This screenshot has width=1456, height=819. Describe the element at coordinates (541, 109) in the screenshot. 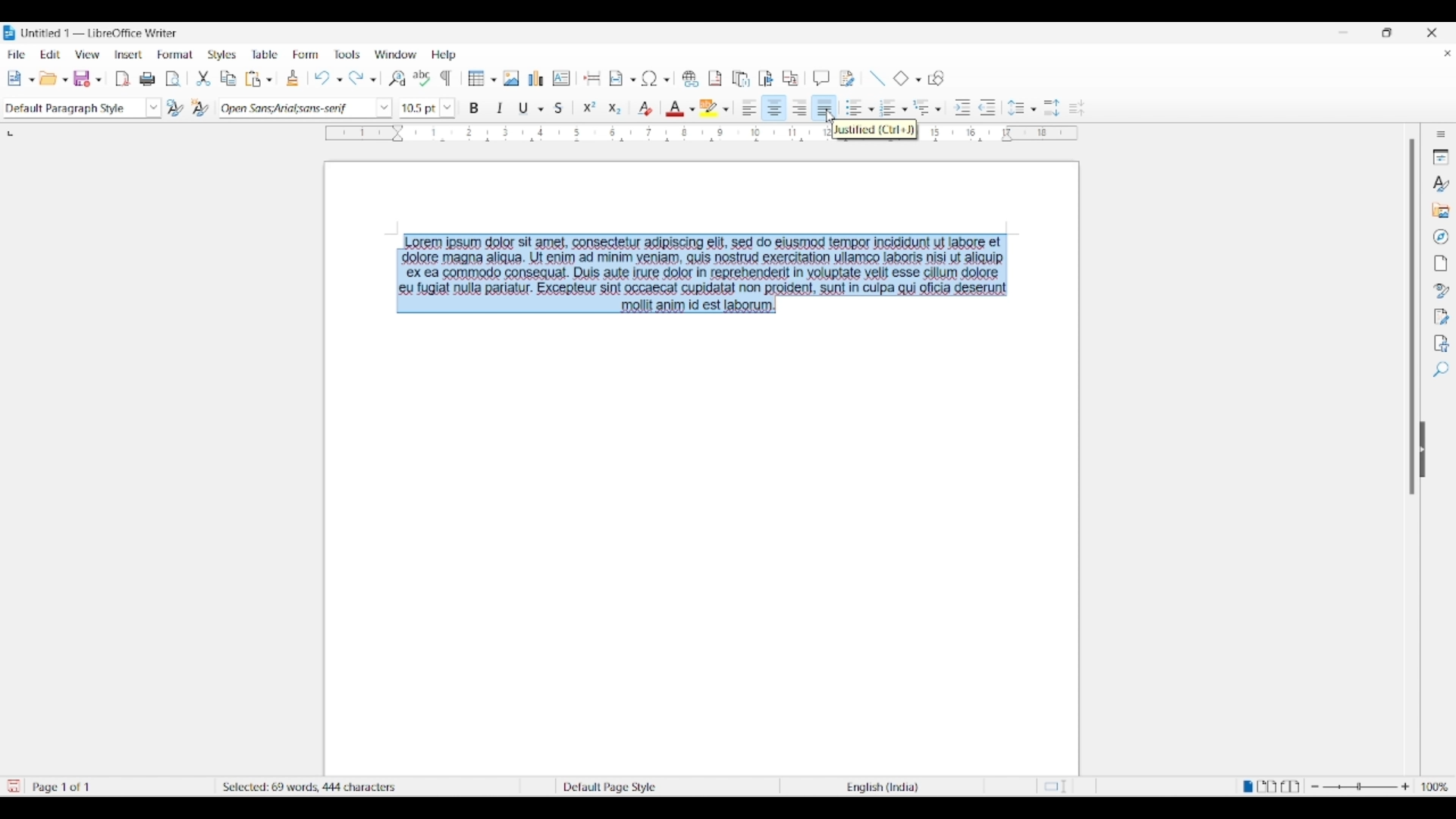

I see `Underline options` at that location.